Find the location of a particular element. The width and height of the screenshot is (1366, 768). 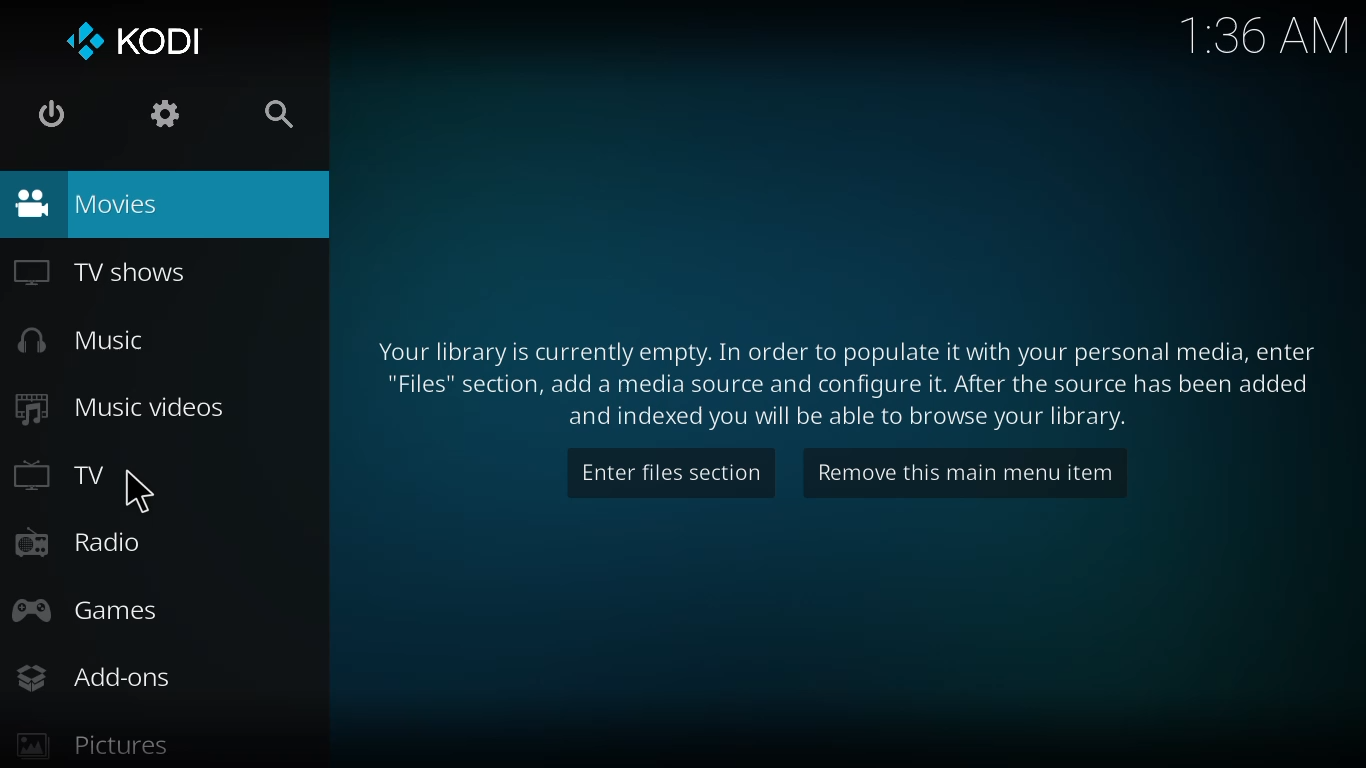

games is located at coordinates (86, 613).